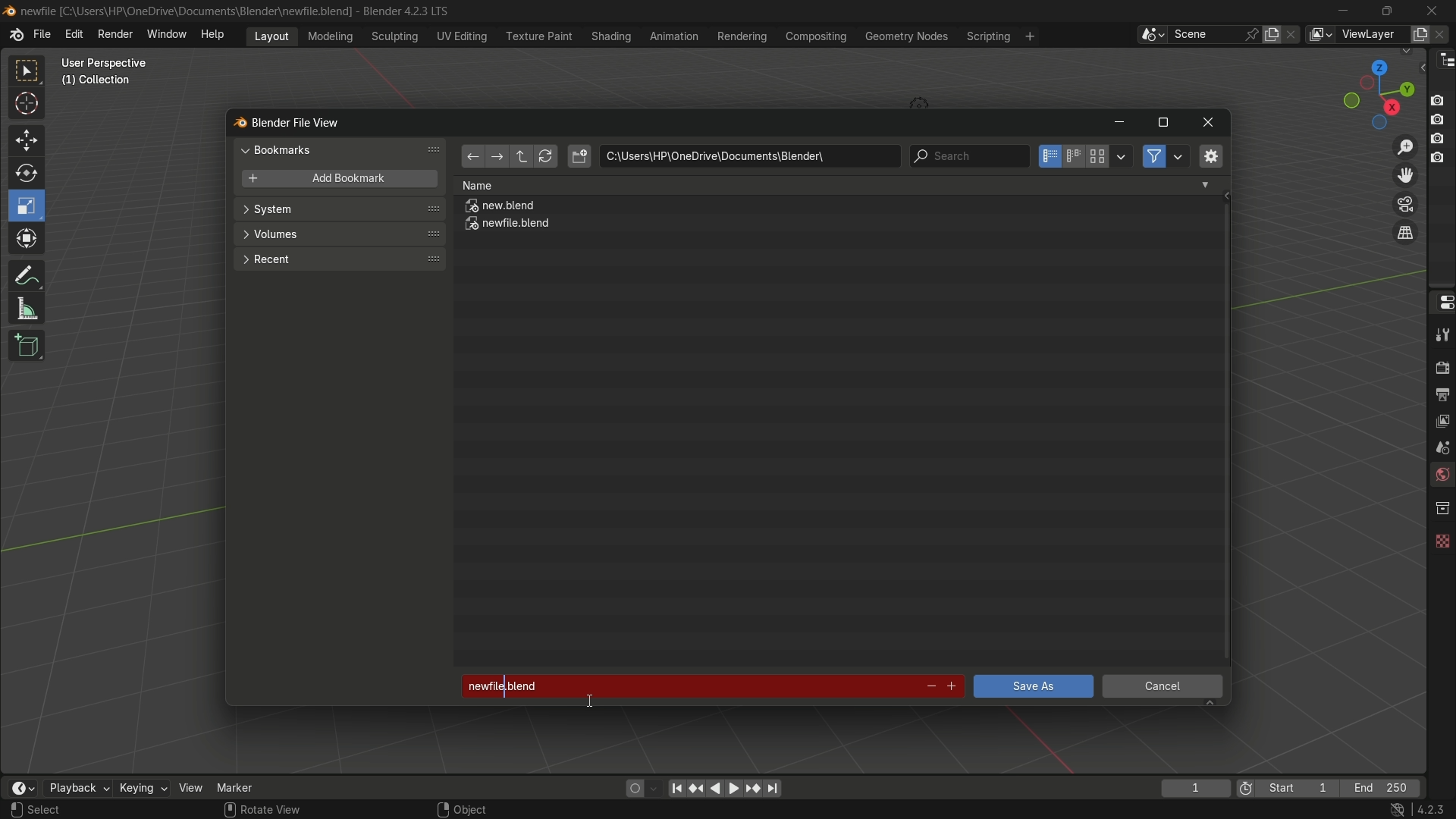  Describe the element at coordinates (1441, 476) in the screenshot. I see `world` at that location.